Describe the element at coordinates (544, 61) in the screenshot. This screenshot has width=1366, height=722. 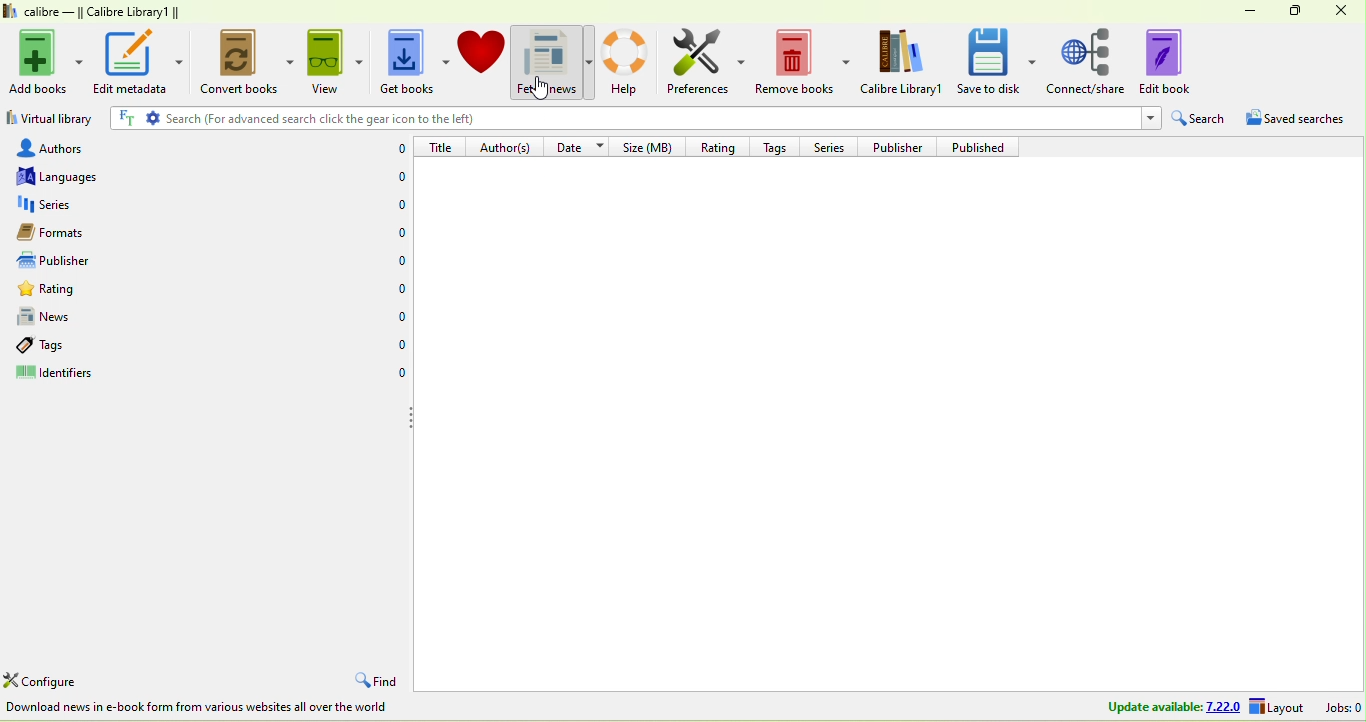
I see `fetch news` at that location.